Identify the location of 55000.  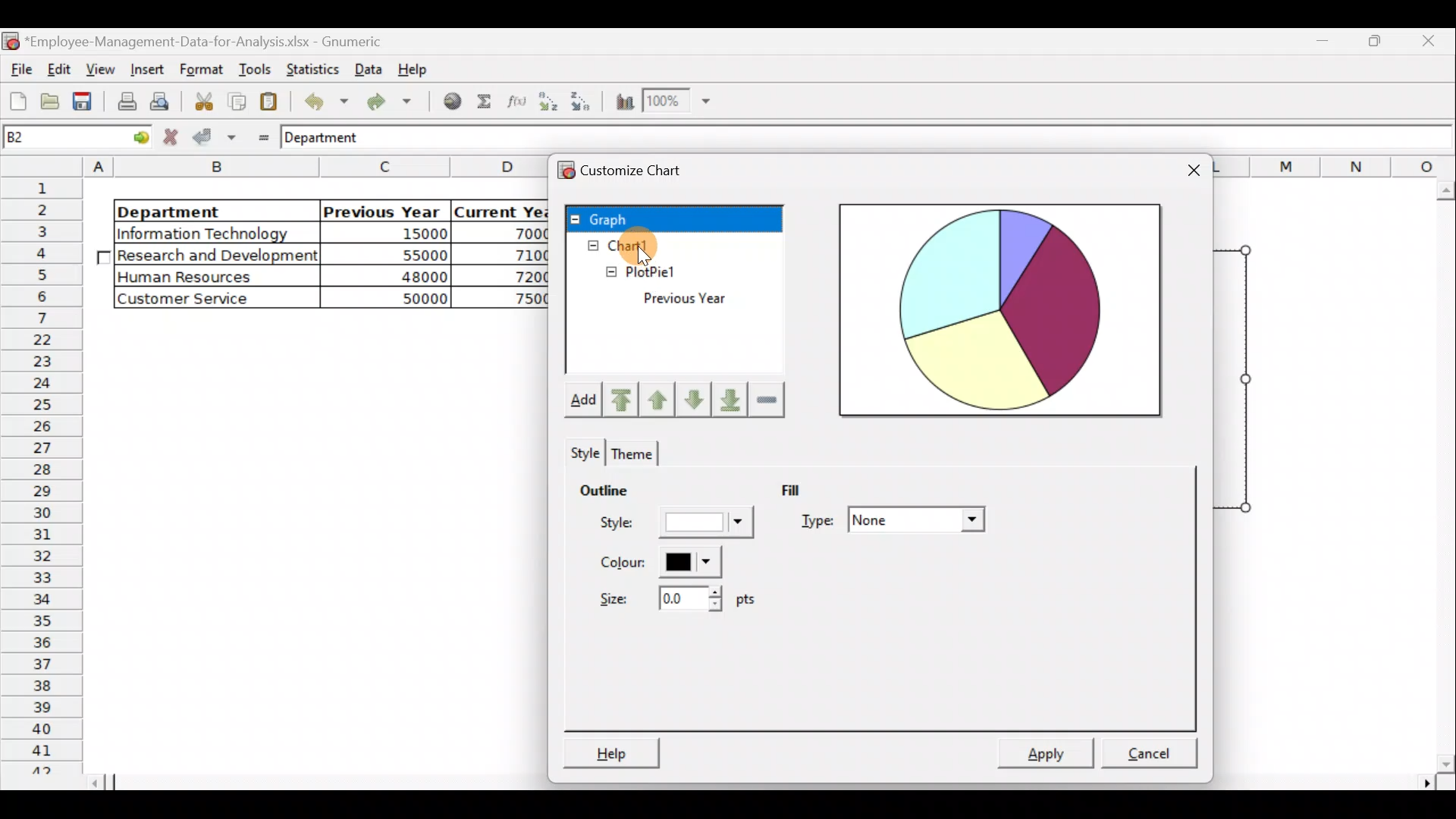
(416, 255).